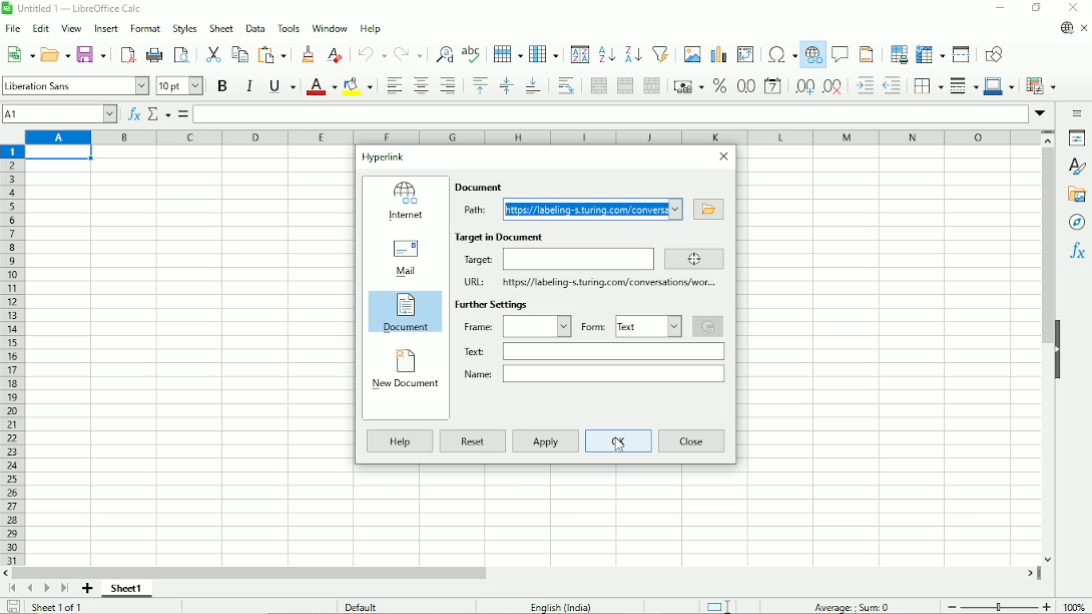 The width and height of the screenshot is (1092, 614). Describe the element at coordinates (12, 589) in the screenshot. I see `Scroll to first sheet` at that location.